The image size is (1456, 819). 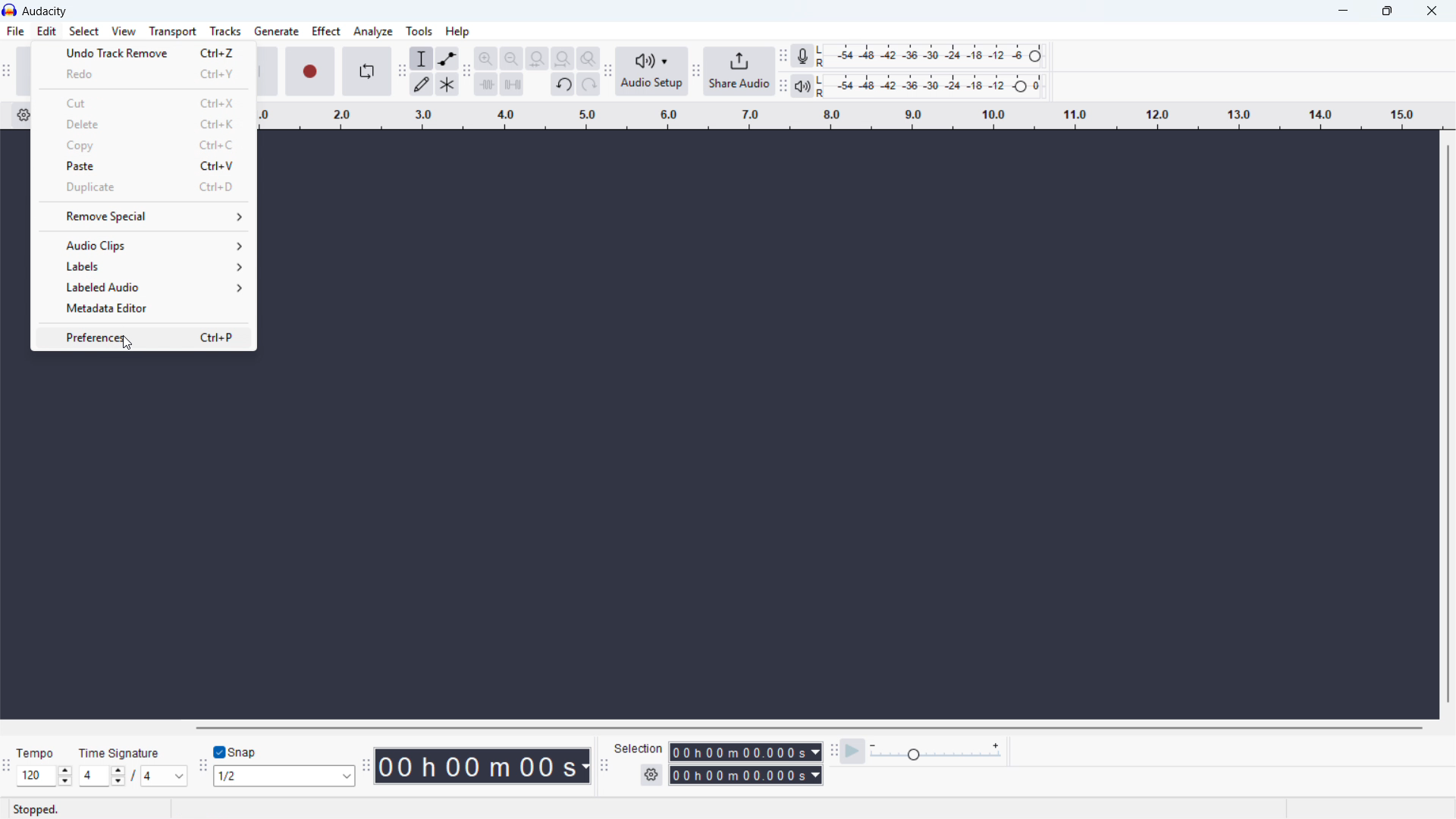 What do you see at coordinates (588, 58) in the screenshot?
I see `toggle zoom` at bounding box center [588, 58].